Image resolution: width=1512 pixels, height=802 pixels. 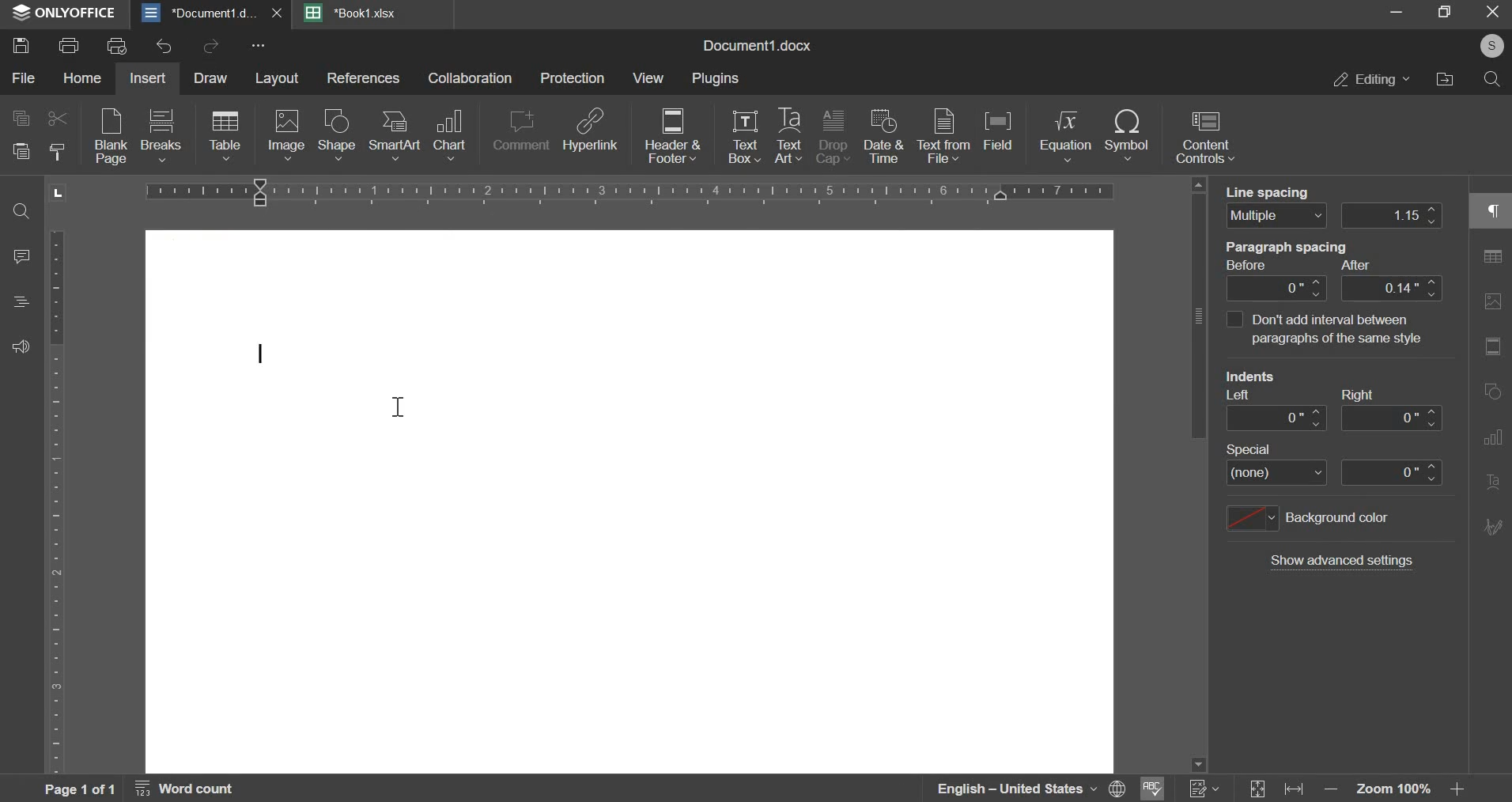 I want to click on Bar/Column Chart Tool, so click(x=1493, y=392).